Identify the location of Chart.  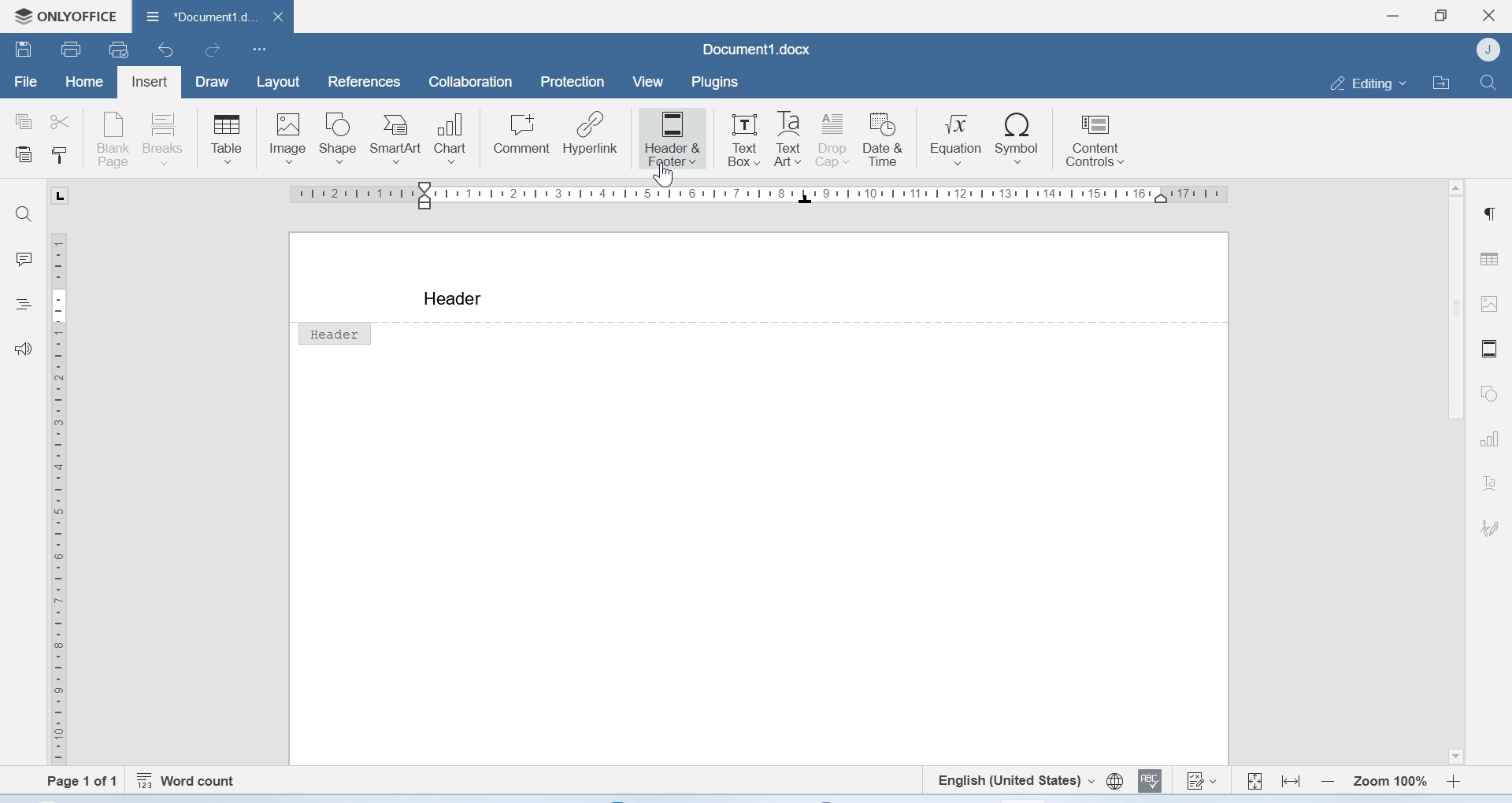
(456, 135).